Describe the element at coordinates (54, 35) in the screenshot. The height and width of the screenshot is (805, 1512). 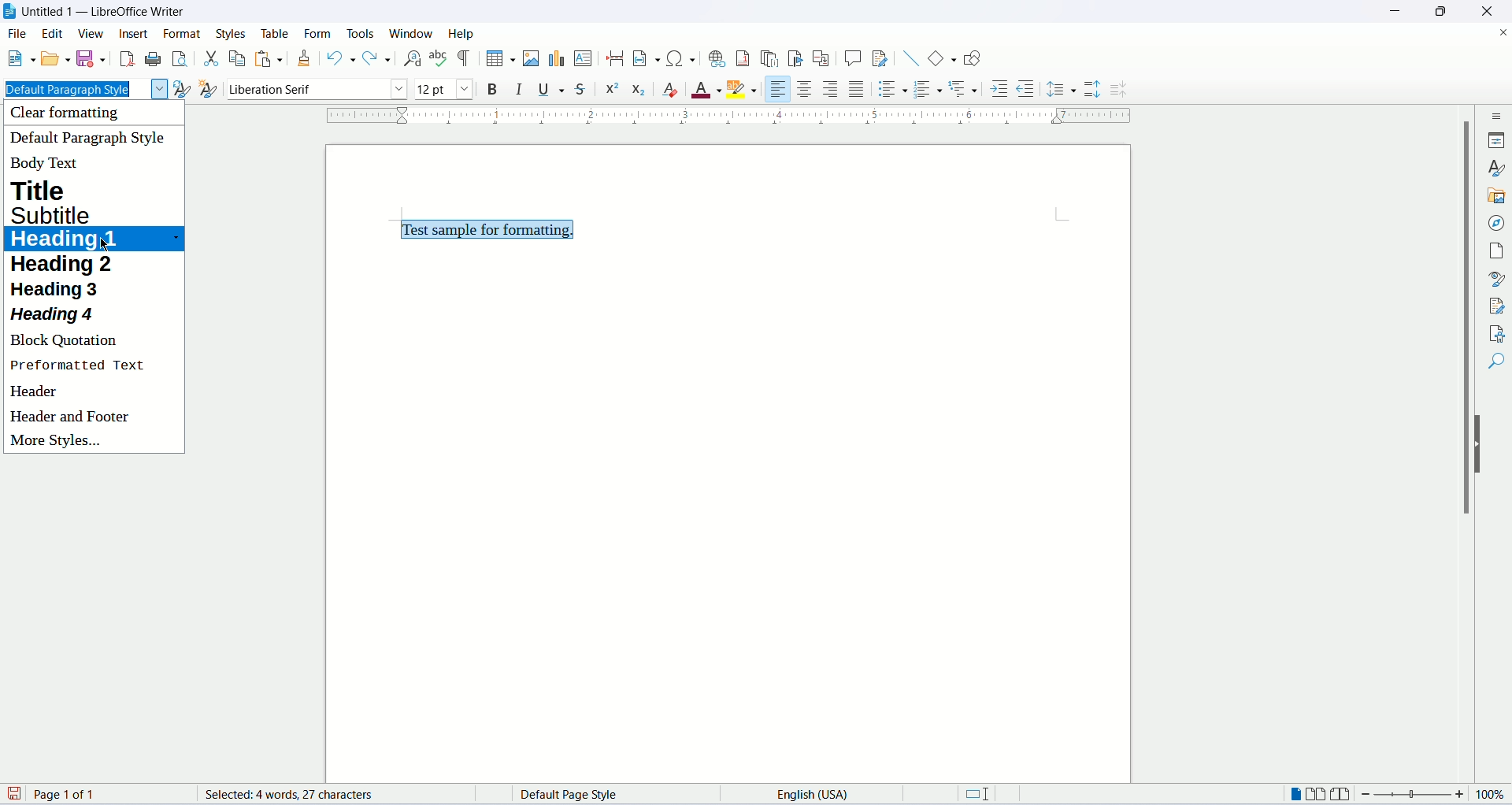
I see `edit` at that location.